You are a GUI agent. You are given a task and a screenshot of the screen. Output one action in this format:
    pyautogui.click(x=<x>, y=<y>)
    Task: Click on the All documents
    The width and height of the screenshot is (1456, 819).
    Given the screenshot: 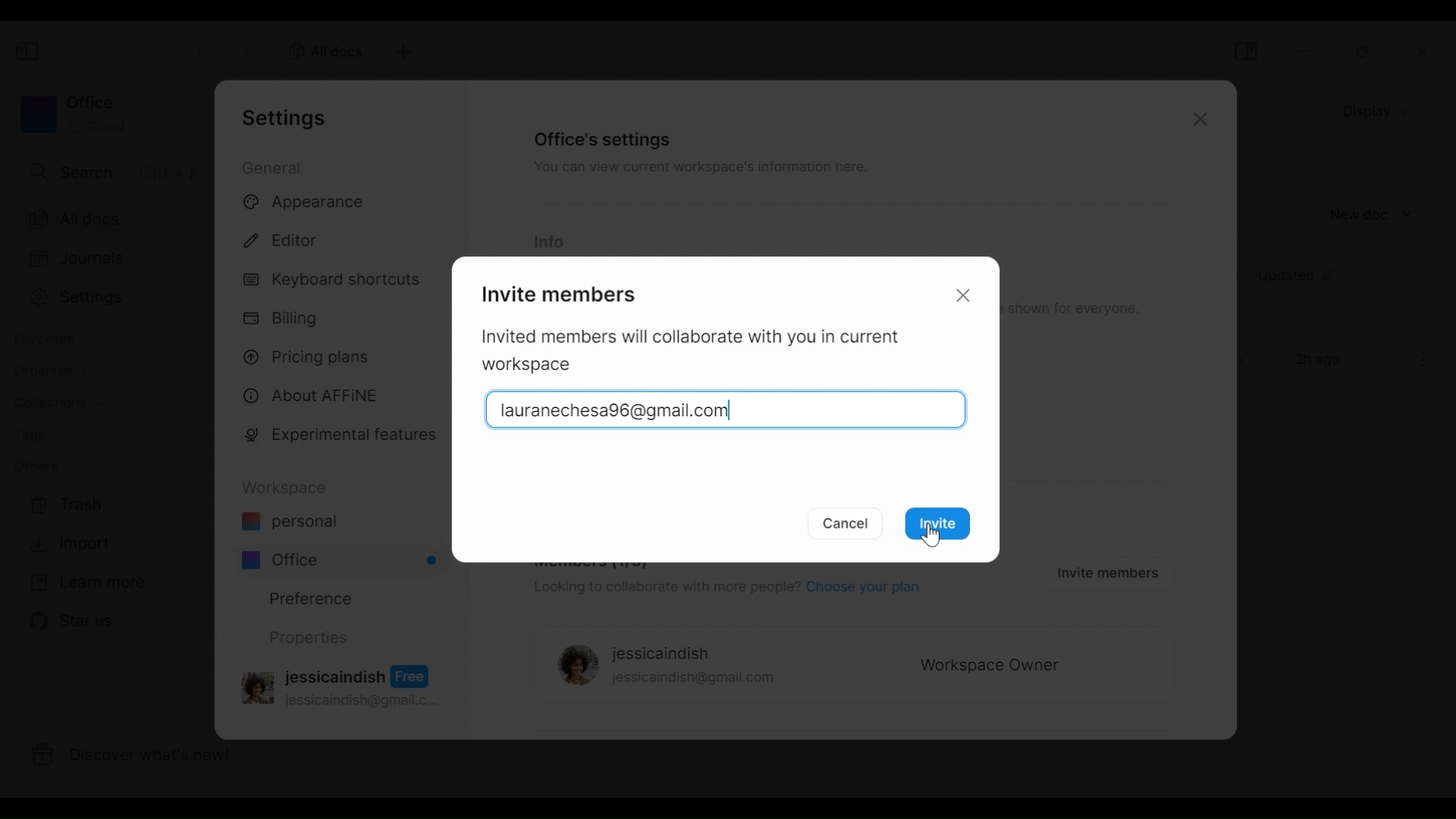 What is the action you would take?
    pyautogui.click(x=106, y=218)
    